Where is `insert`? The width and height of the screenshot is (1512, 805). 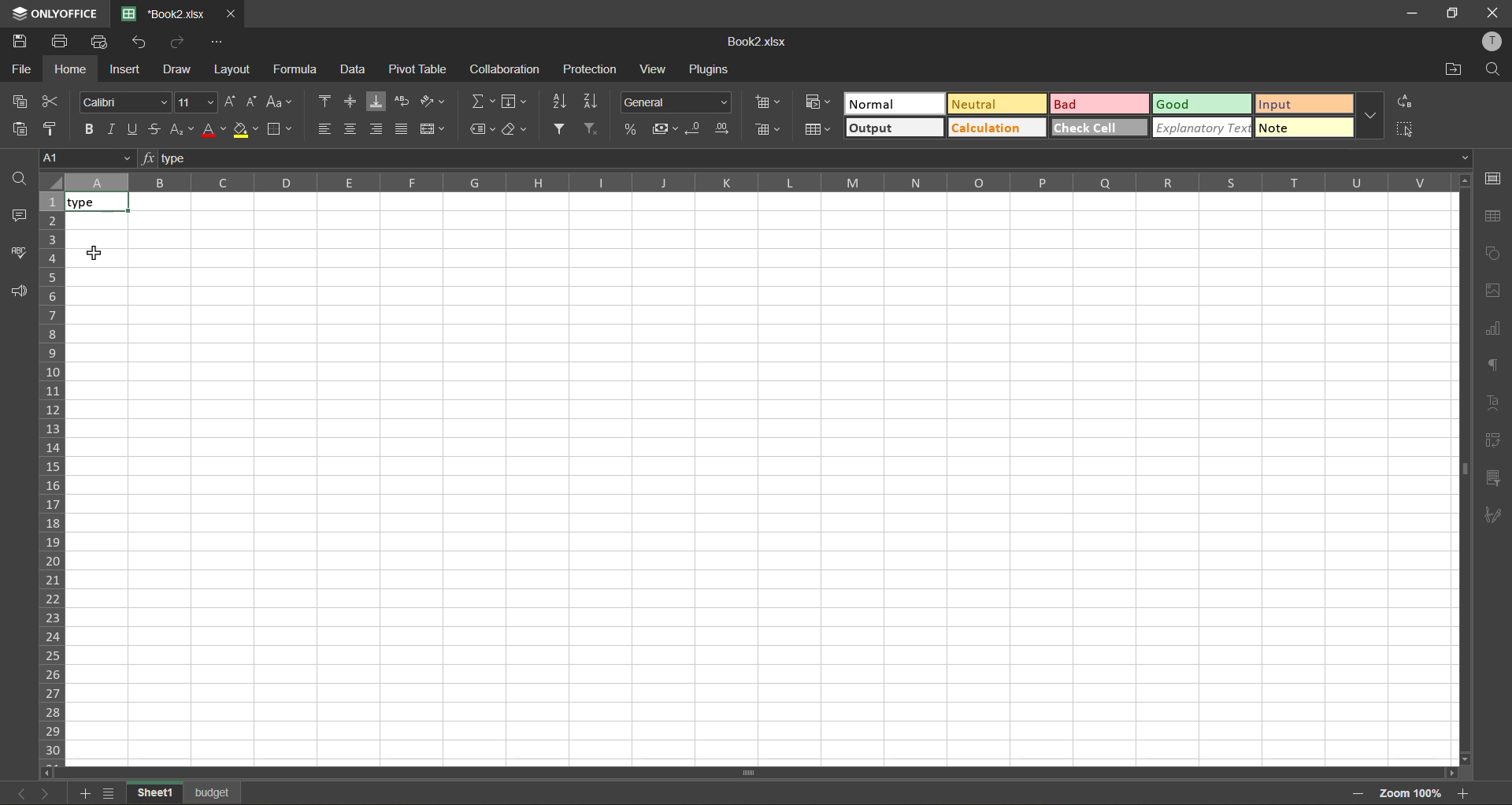 insert is located at coordinates (127, 71).